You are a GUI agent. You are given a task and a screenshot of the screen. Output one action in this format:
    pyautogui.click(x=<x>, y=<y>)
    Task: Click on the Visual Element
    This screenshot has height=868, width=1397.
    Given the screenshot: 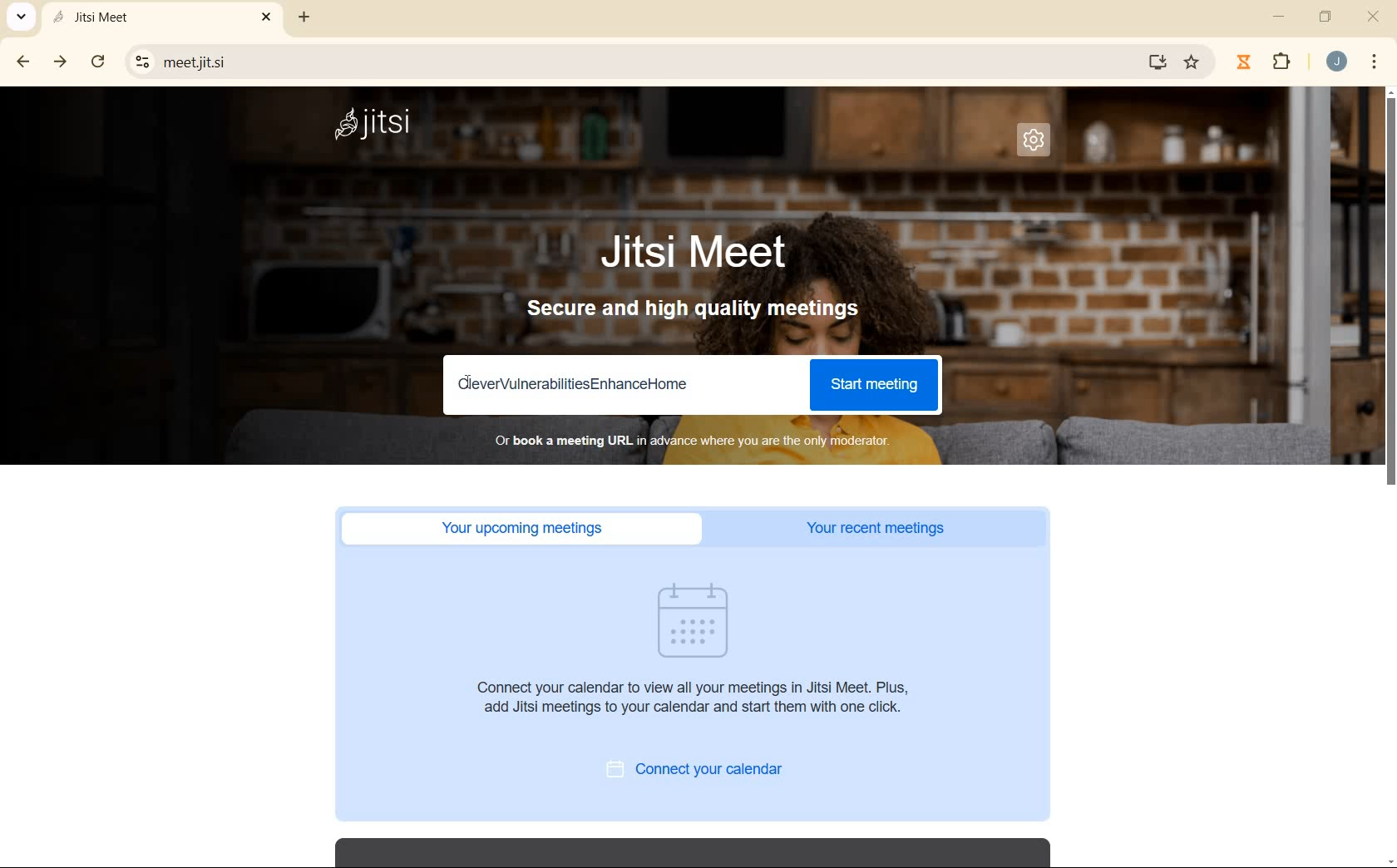 What is the action you would take?
    pyautogui.click(x=691, y=615)
    